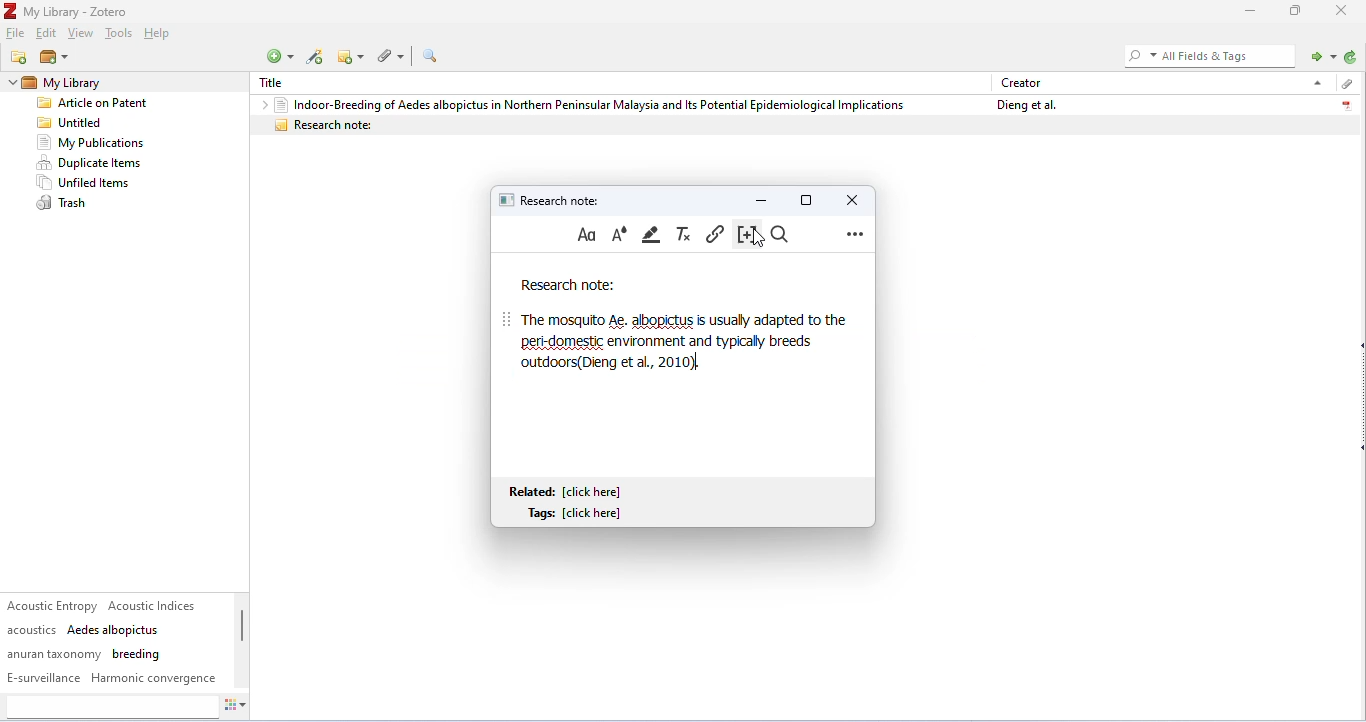 Image resolution: width=1366 pixels, height=722 pixels. Describe the element at coordinates (1320, 55) in the screenshot. I see `locate` at that location.